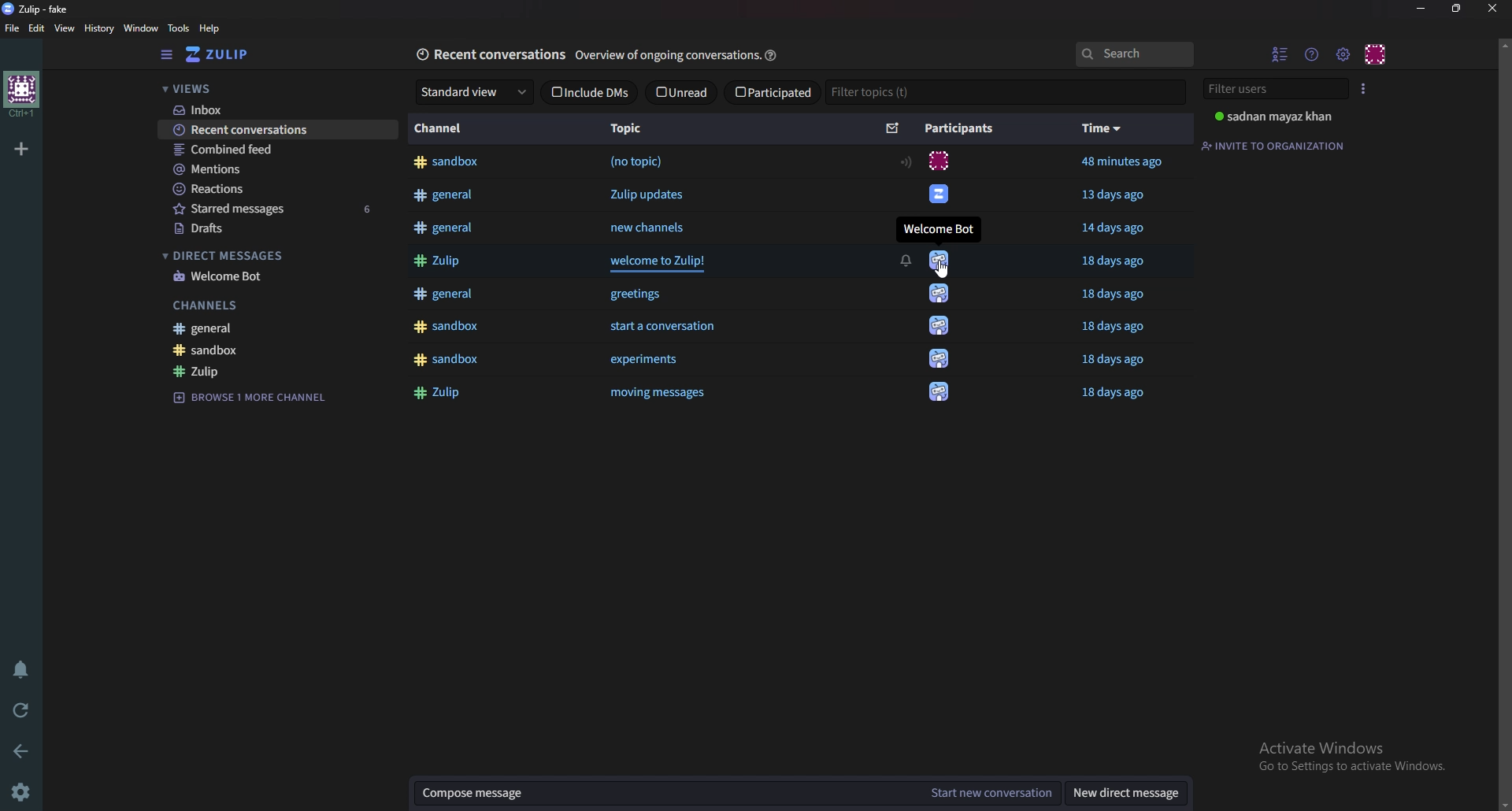 The width and height of the screenshot is (1512, 811). Describe the element at coordinates (257, 396) in the screenshot. I see `Browse channel` at that location.